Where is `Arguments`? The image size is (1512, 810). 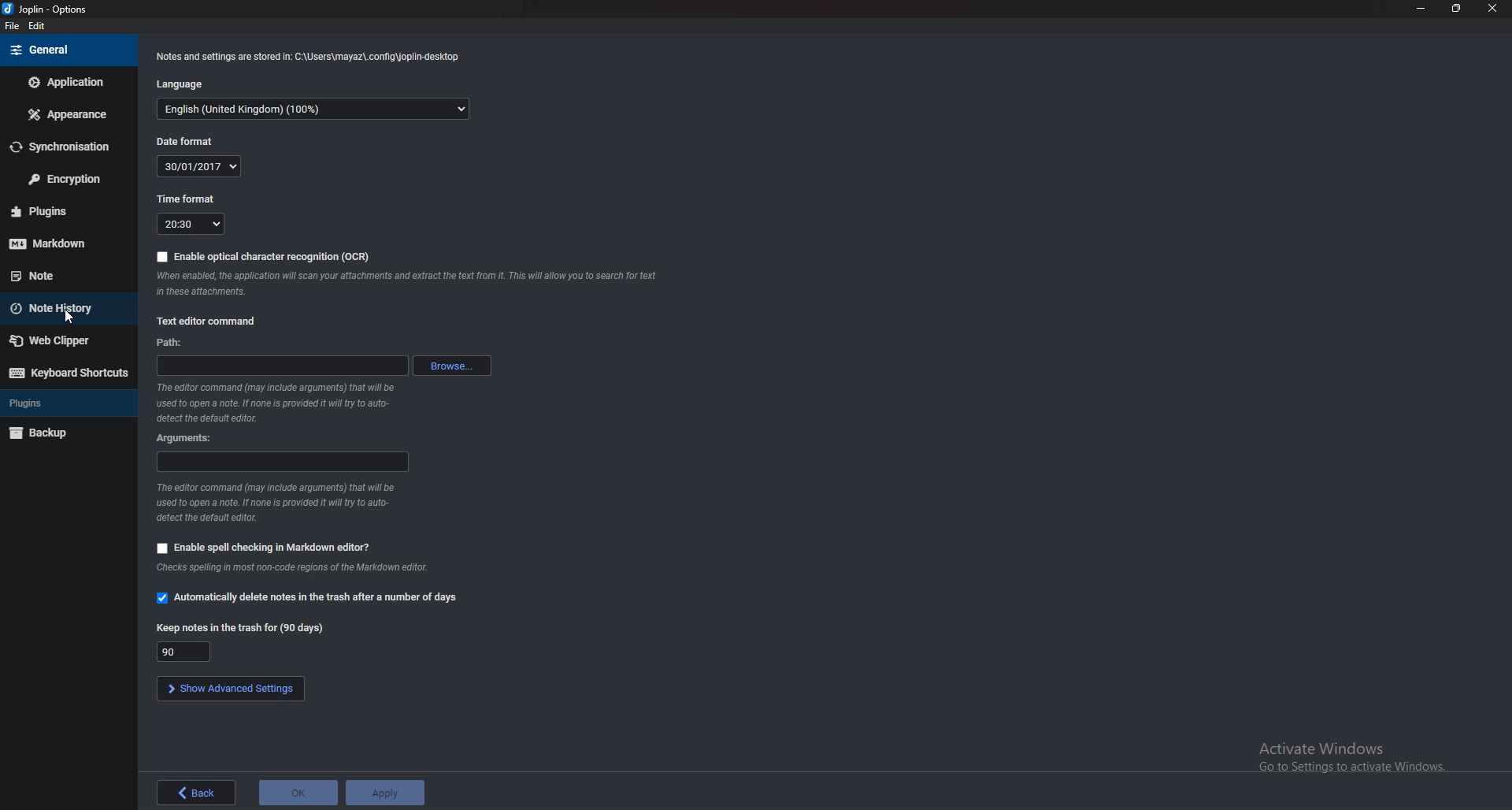
Arguments is located at coordinates (194, 437).